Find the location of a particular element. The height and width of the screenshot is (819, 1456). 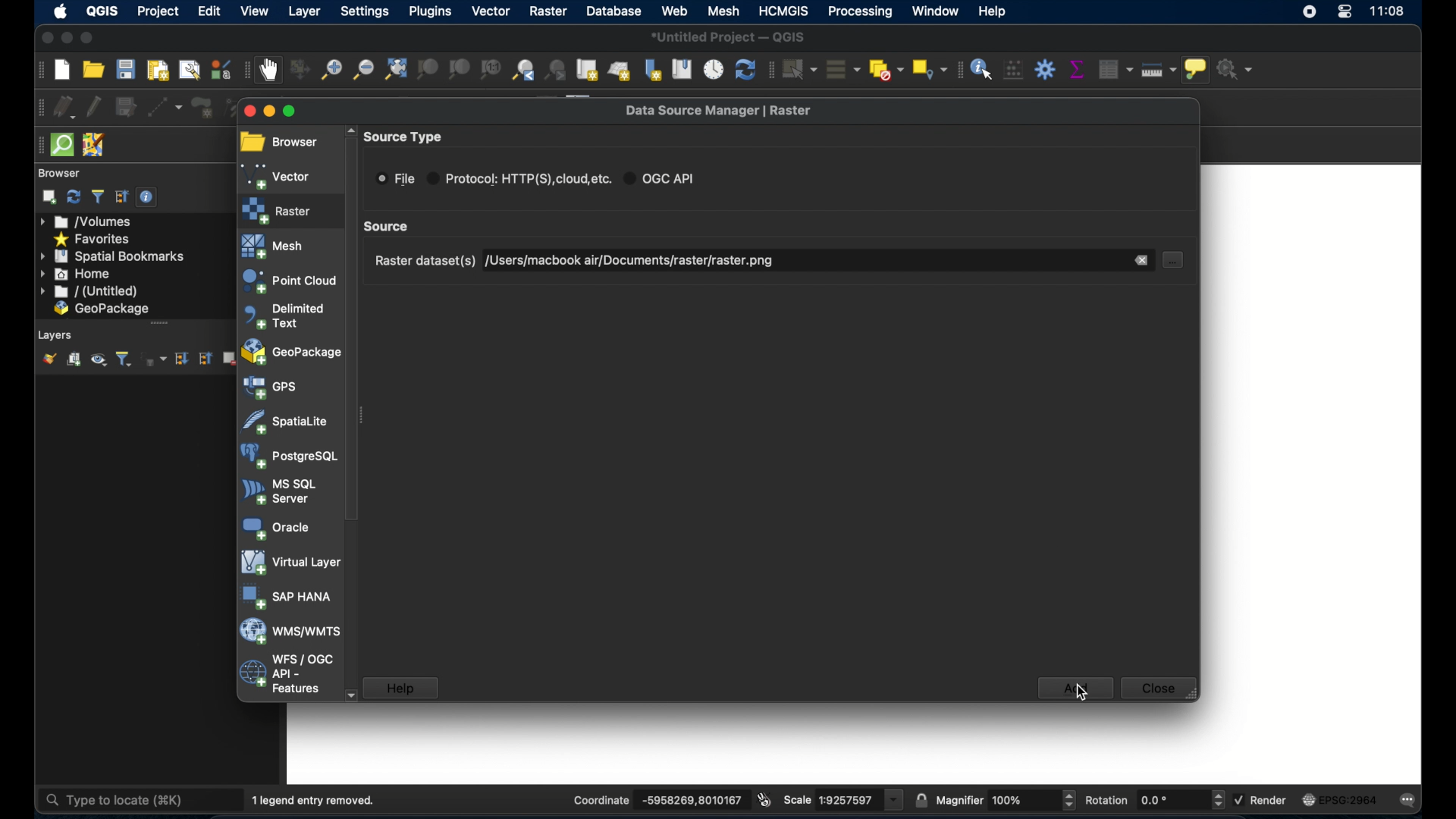

gps is located at coordinates (271, 389).